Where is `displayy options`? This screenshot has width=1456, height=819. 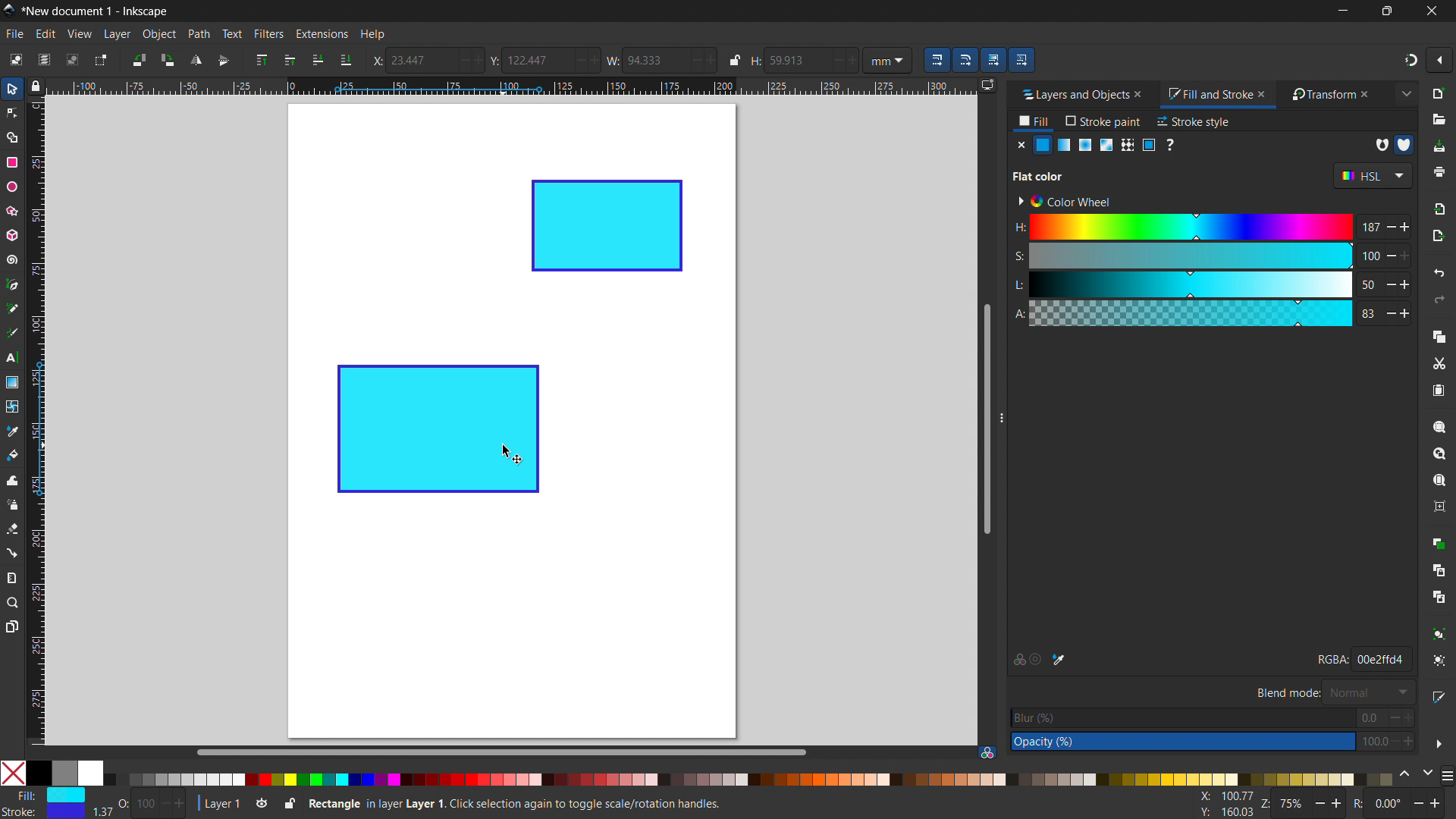
displayy options is located at coordinates (987, 85).